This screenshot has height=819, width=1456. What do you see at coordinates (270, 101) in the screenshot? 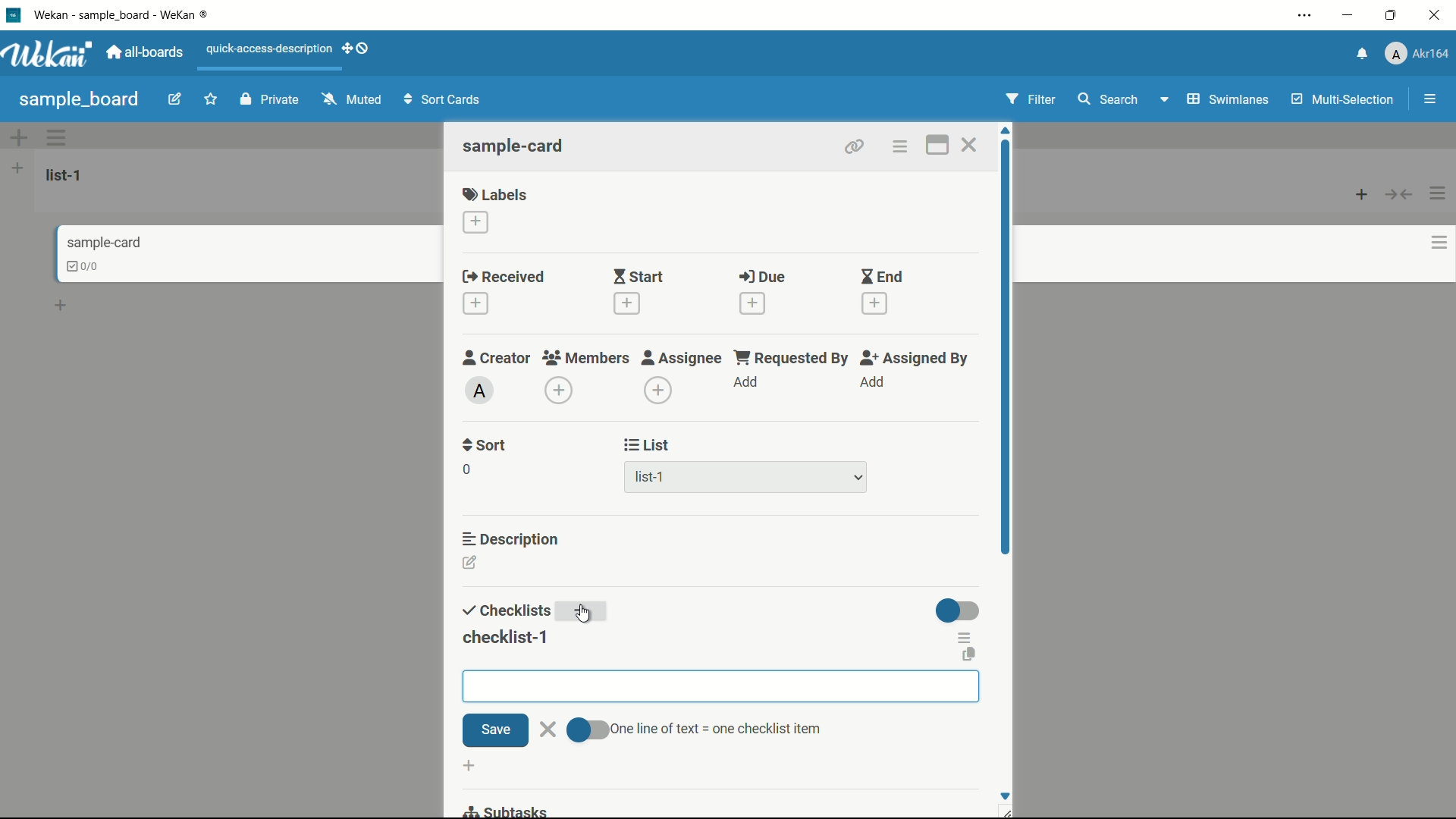
I see `private` at bounding box center [270, 101].